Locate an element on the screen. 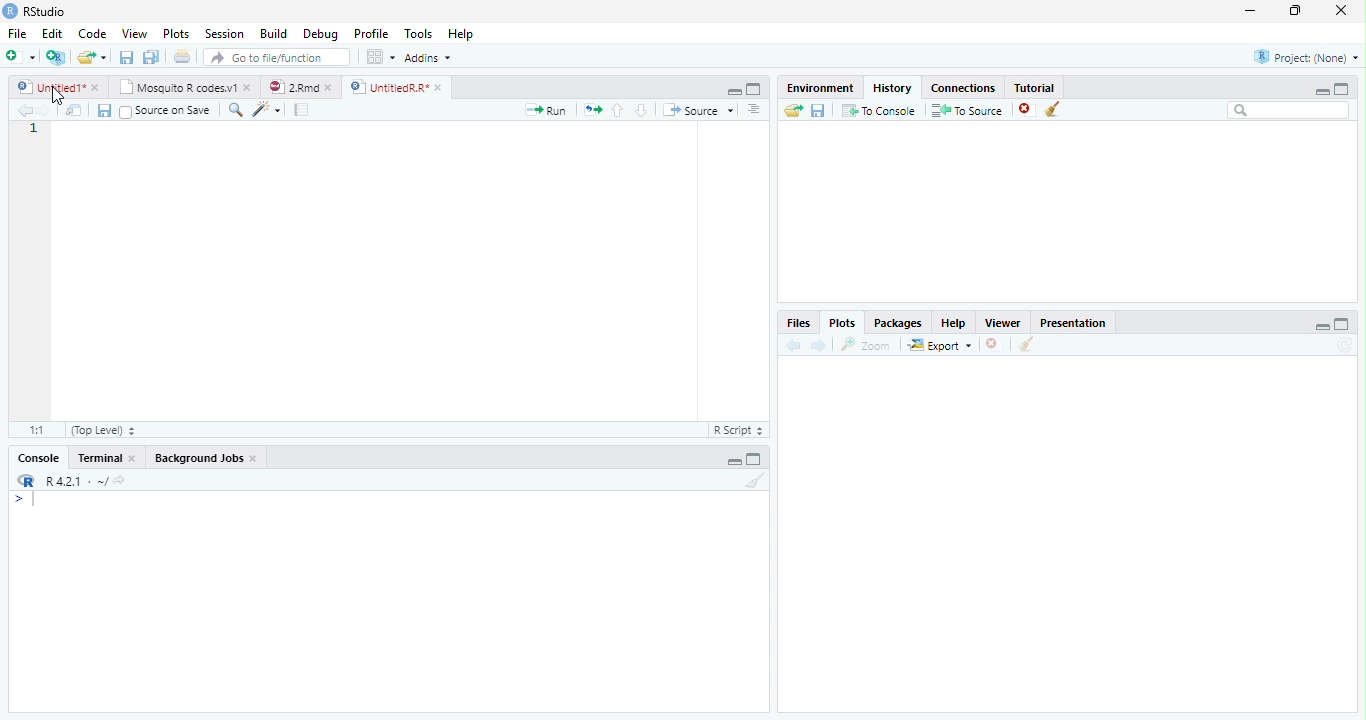 This screenshot has width=1366, height=720. Zoom is located at coordinates (865, 345).